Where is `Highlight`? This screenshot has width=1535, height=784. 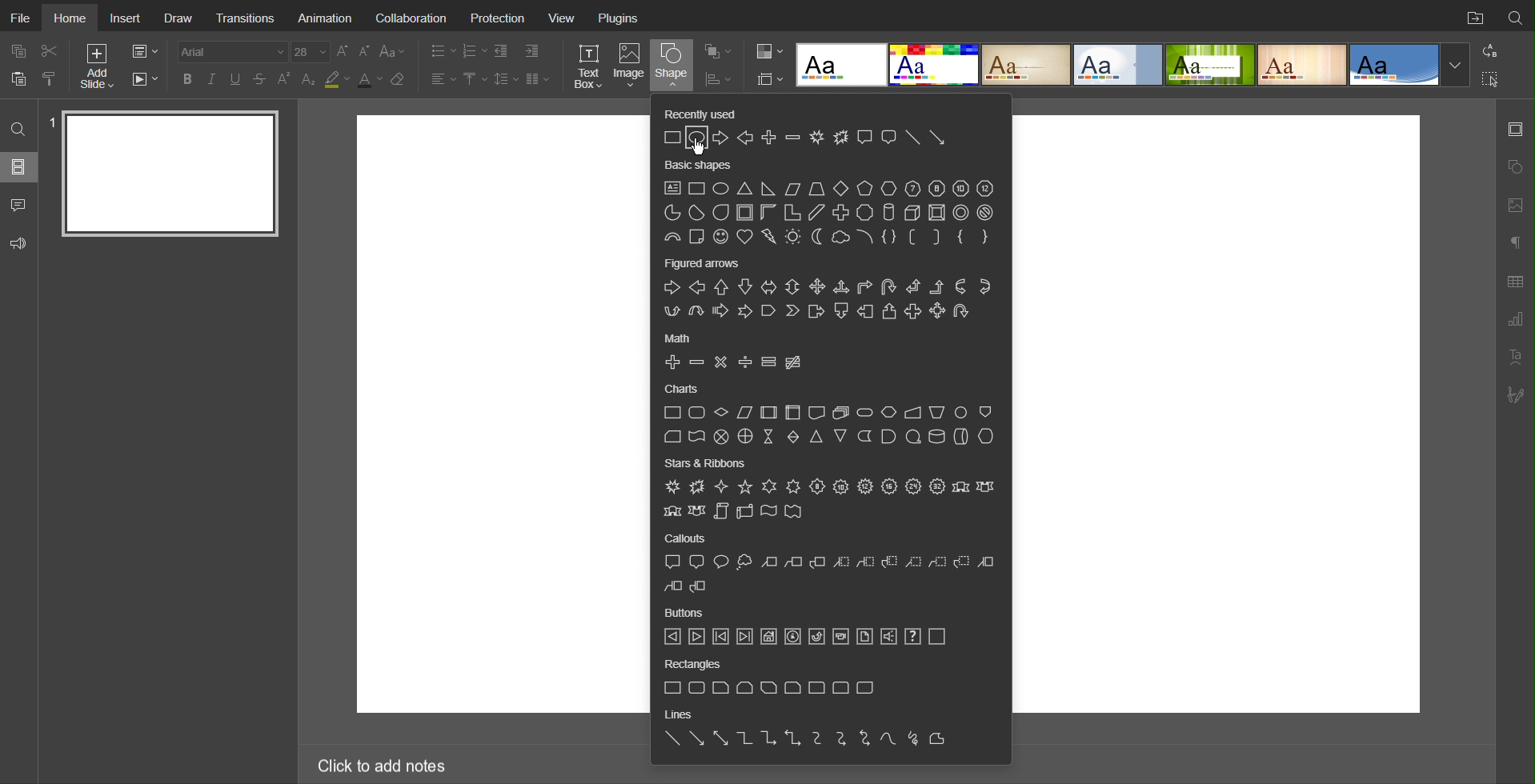
Highlight is located at coordinates (336, 80).